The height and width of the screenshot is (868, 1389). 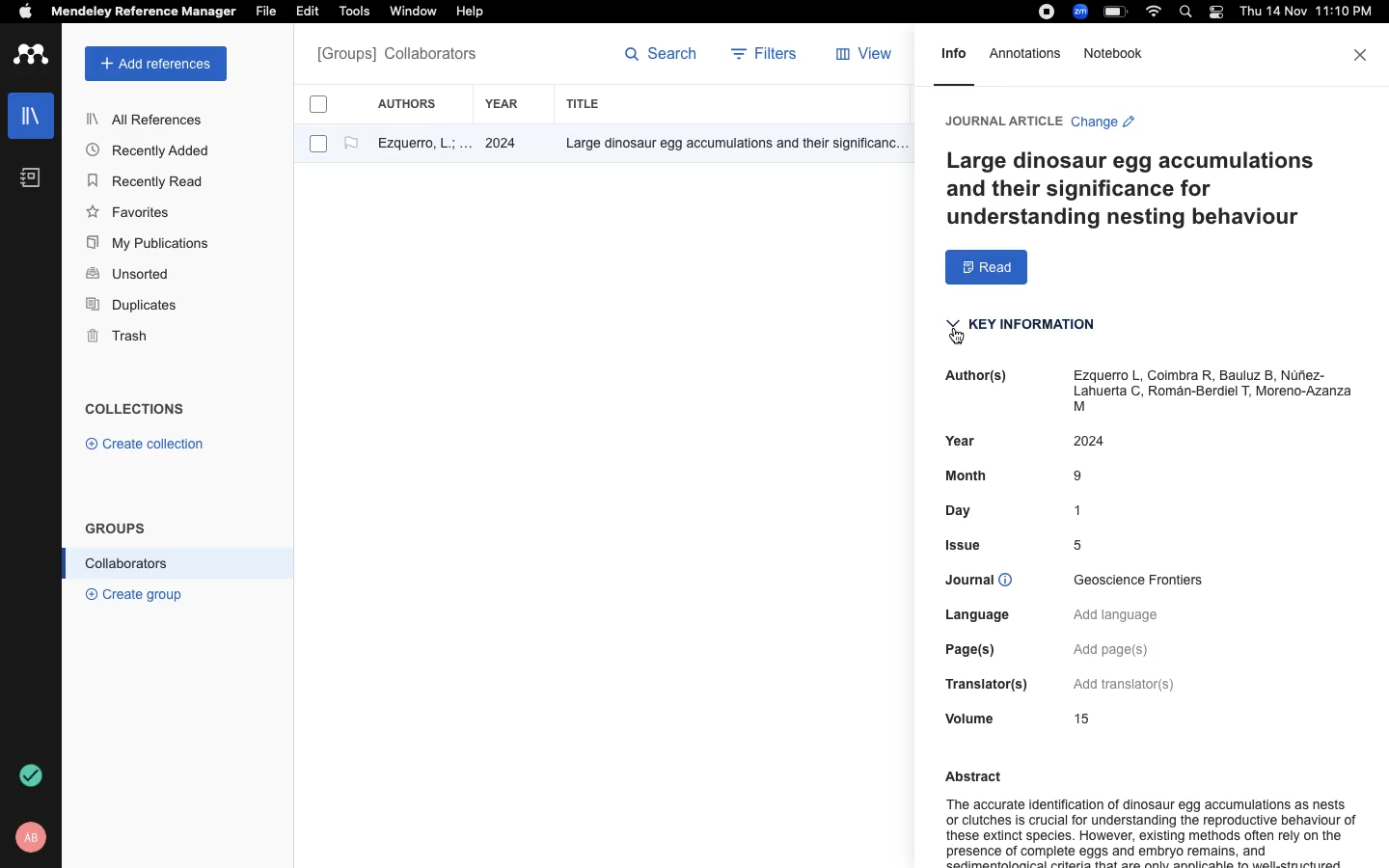 What do you see at coordinates (1362, 55) in the screenshot?
I see `close` at bounding box center [1362, 55].